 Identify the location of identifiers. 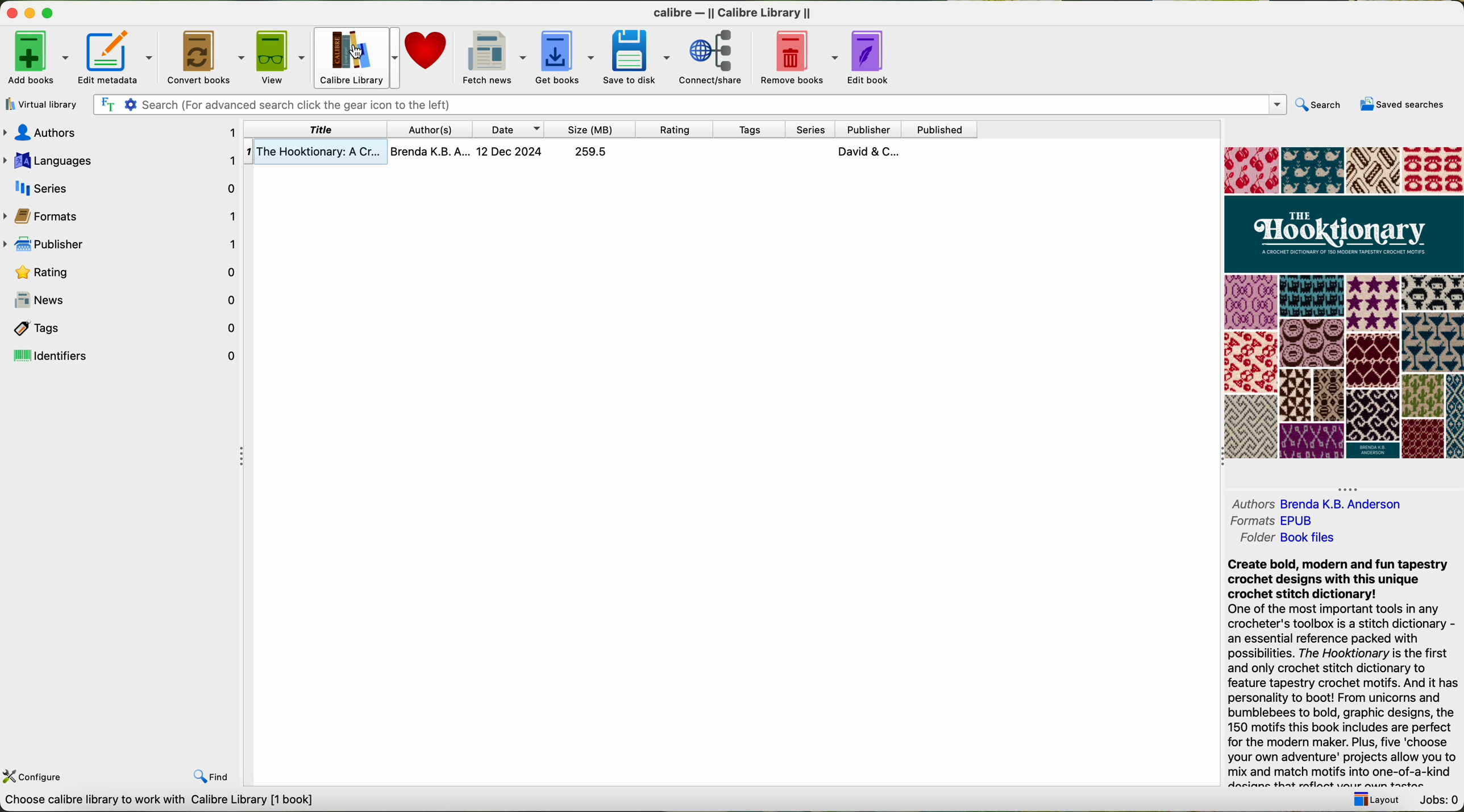
(121, 357).